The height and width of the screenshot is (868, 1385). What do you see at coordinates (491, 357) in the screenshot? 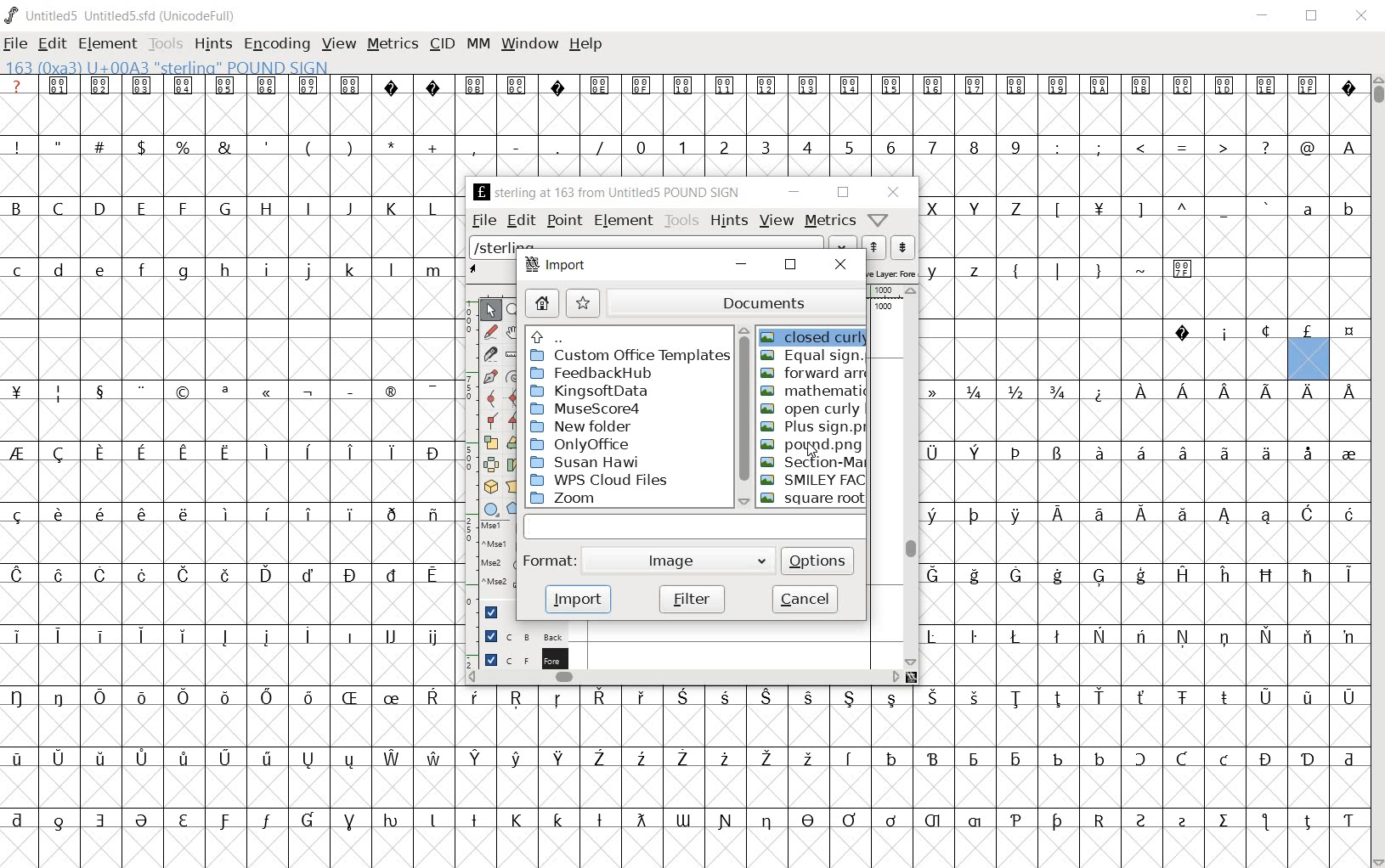
I see `knife` at bounding box center [491, 357].